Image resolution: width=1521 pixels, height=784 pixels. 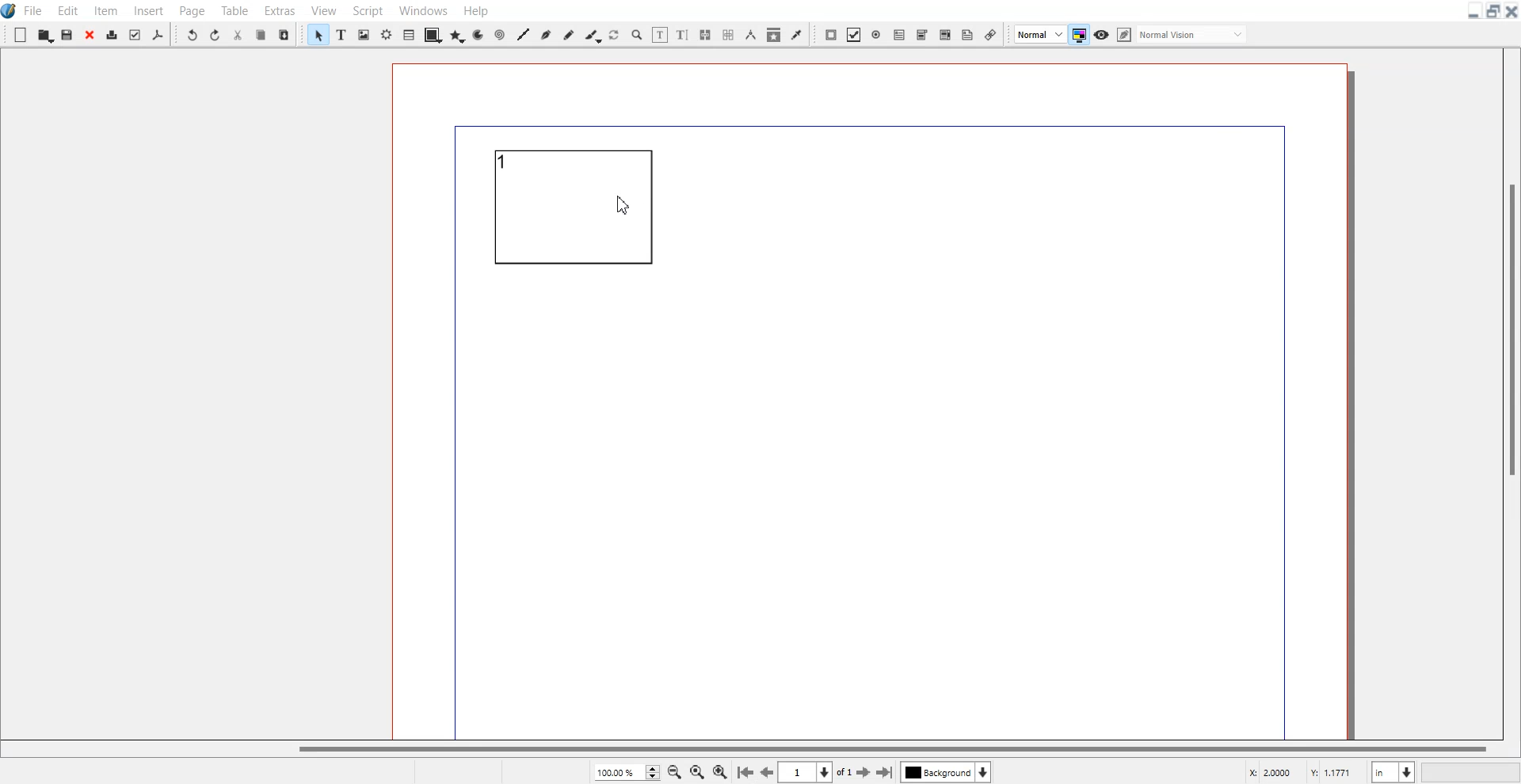 I want to click on Zoom Adjustment, so click(x=626, y=772).